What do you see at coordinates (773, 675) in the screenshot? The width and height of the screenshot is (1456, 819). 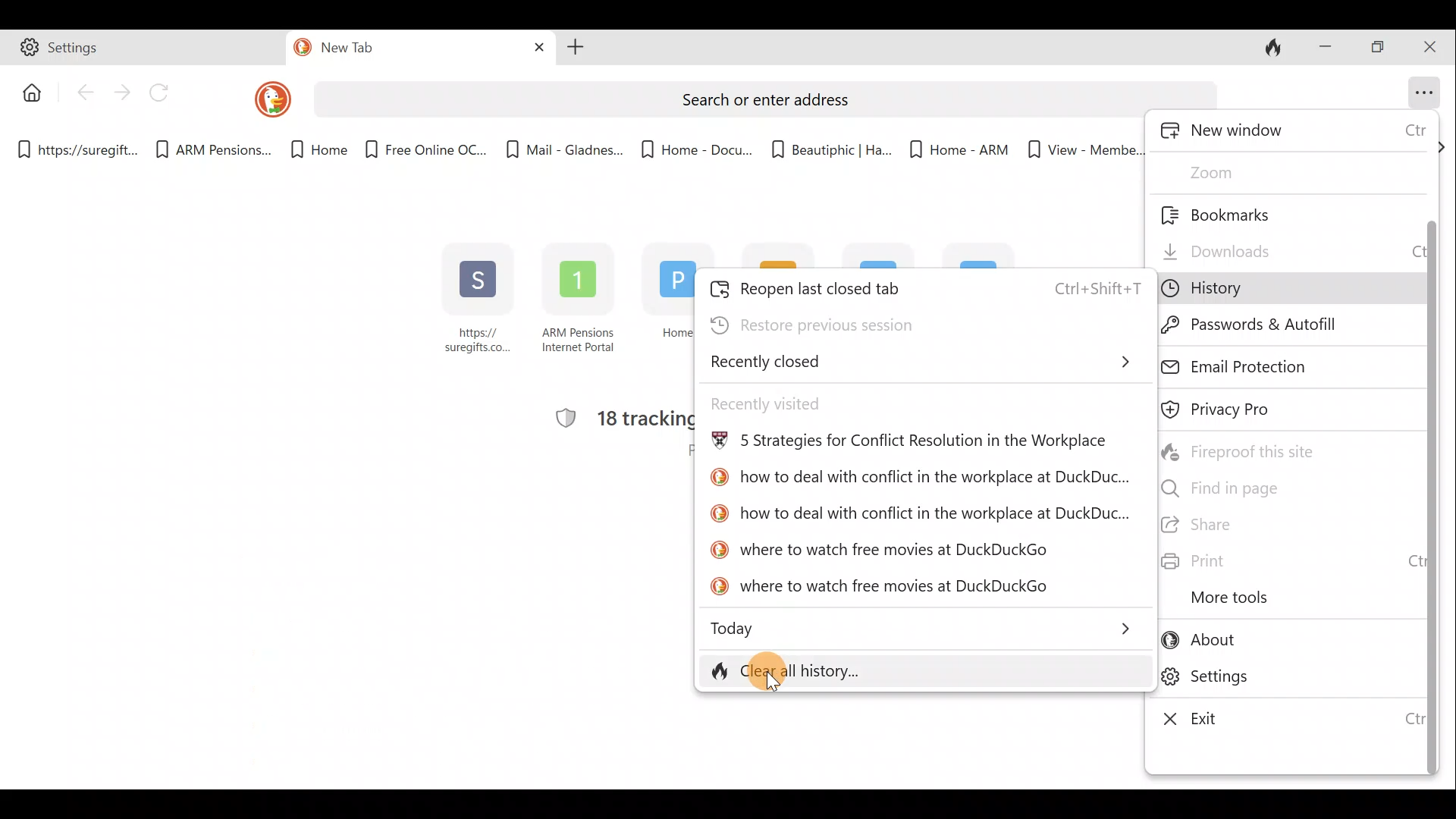 I see `Cursor` at bounding box center [773, 675].